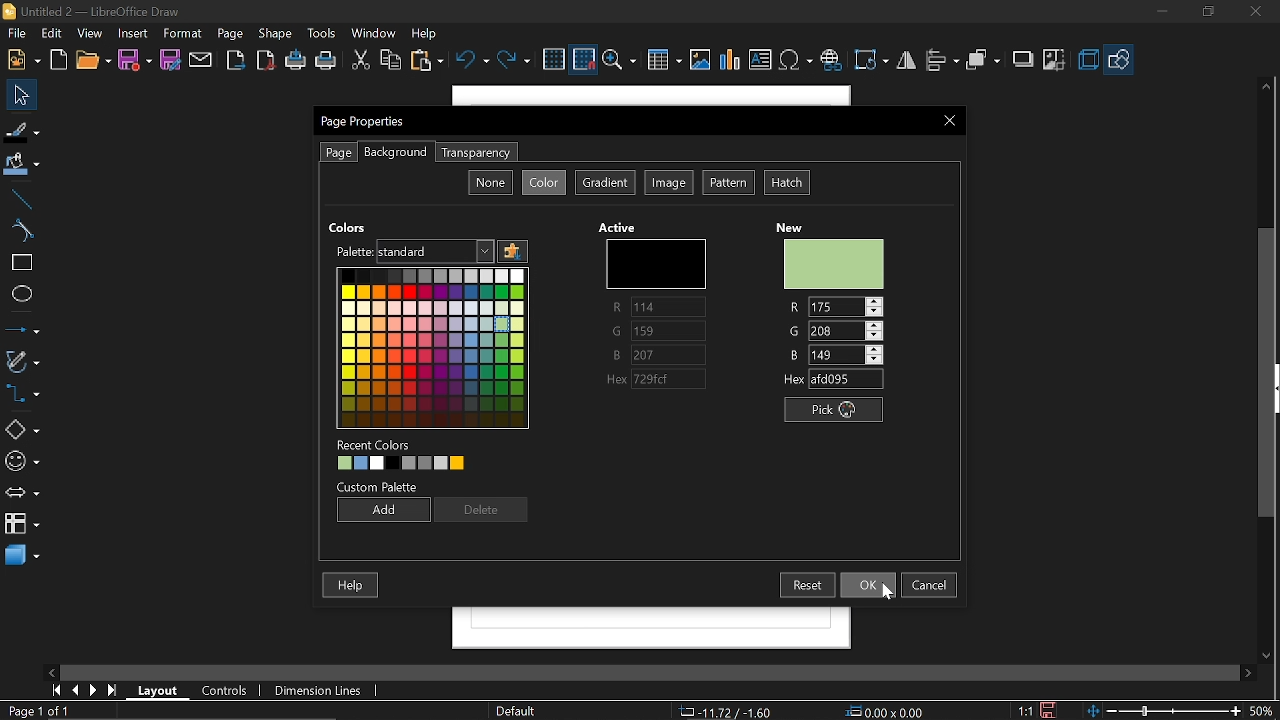 The image size is (1280, 720). Describe the element at coordinates (437, 251) in the screenshot. I see `Pallete standard` at that location.